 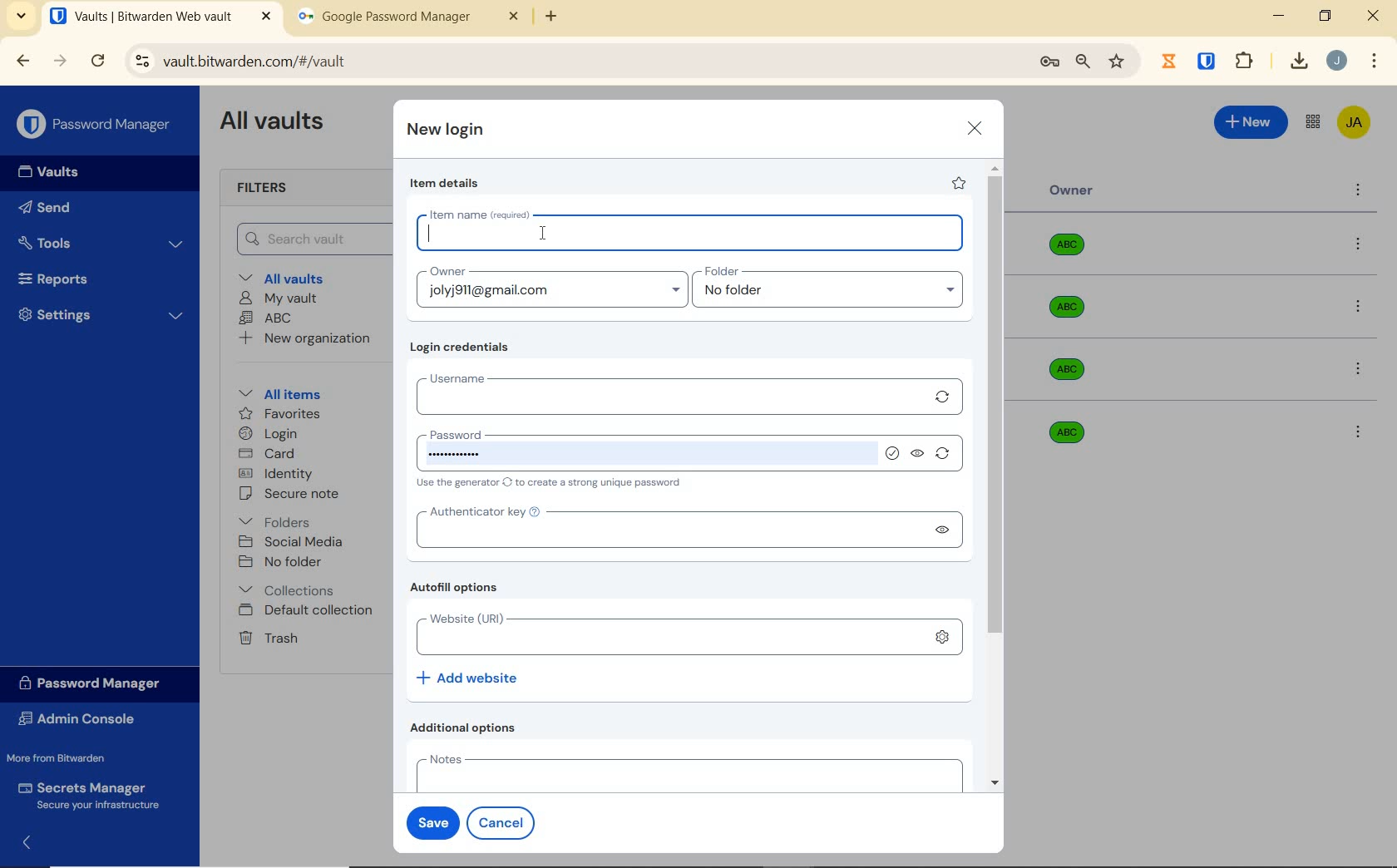 What do you see at coordinates (552, 484) in the screenshot?
I see `Use the generator O to create a strong unique password` at bounding box center [552, 484].